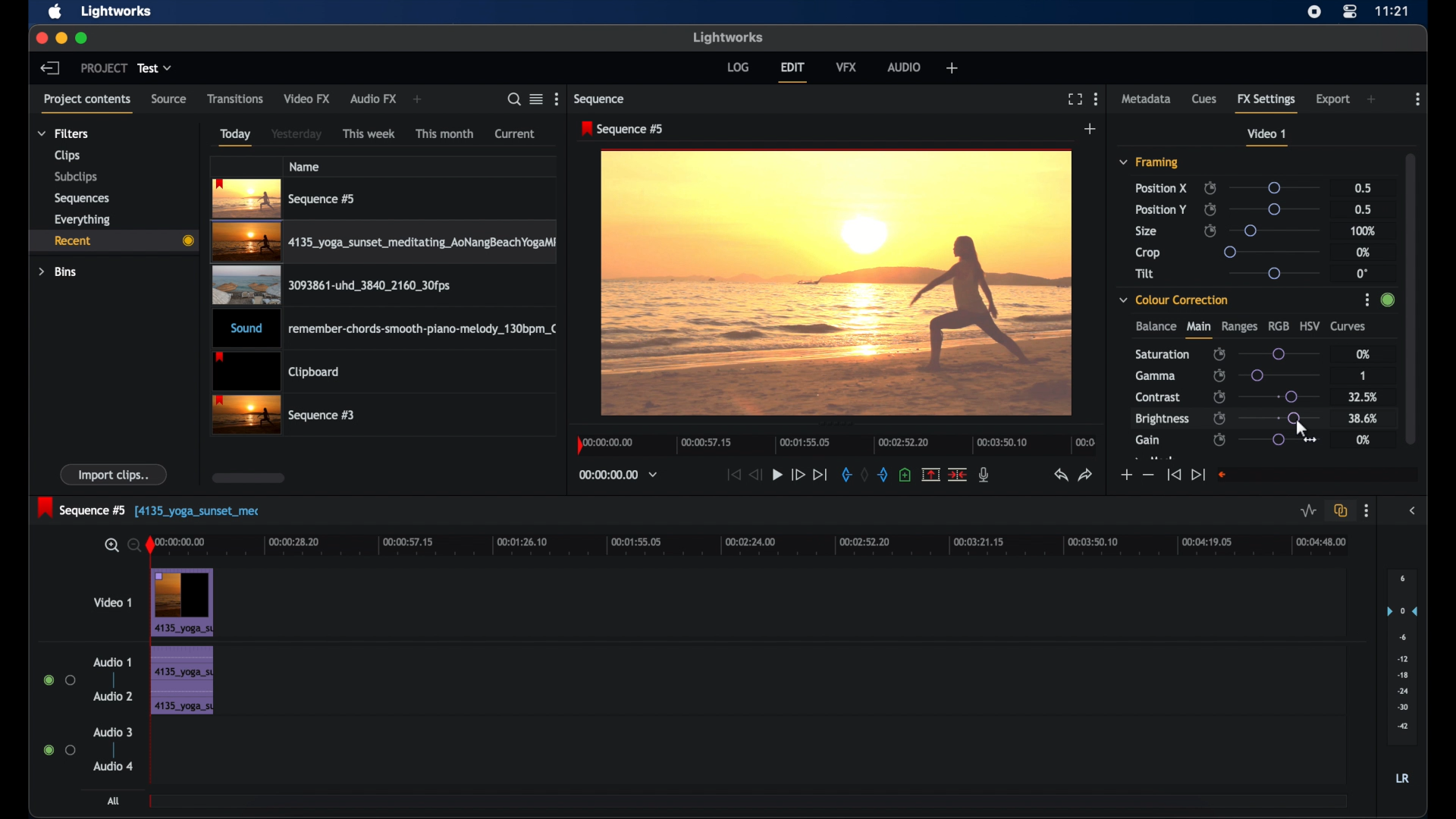 This screenshot has width=1456, height=819. Describe the element at coordinates (884, 475) in the screenshot. I see `out mark` at that location.